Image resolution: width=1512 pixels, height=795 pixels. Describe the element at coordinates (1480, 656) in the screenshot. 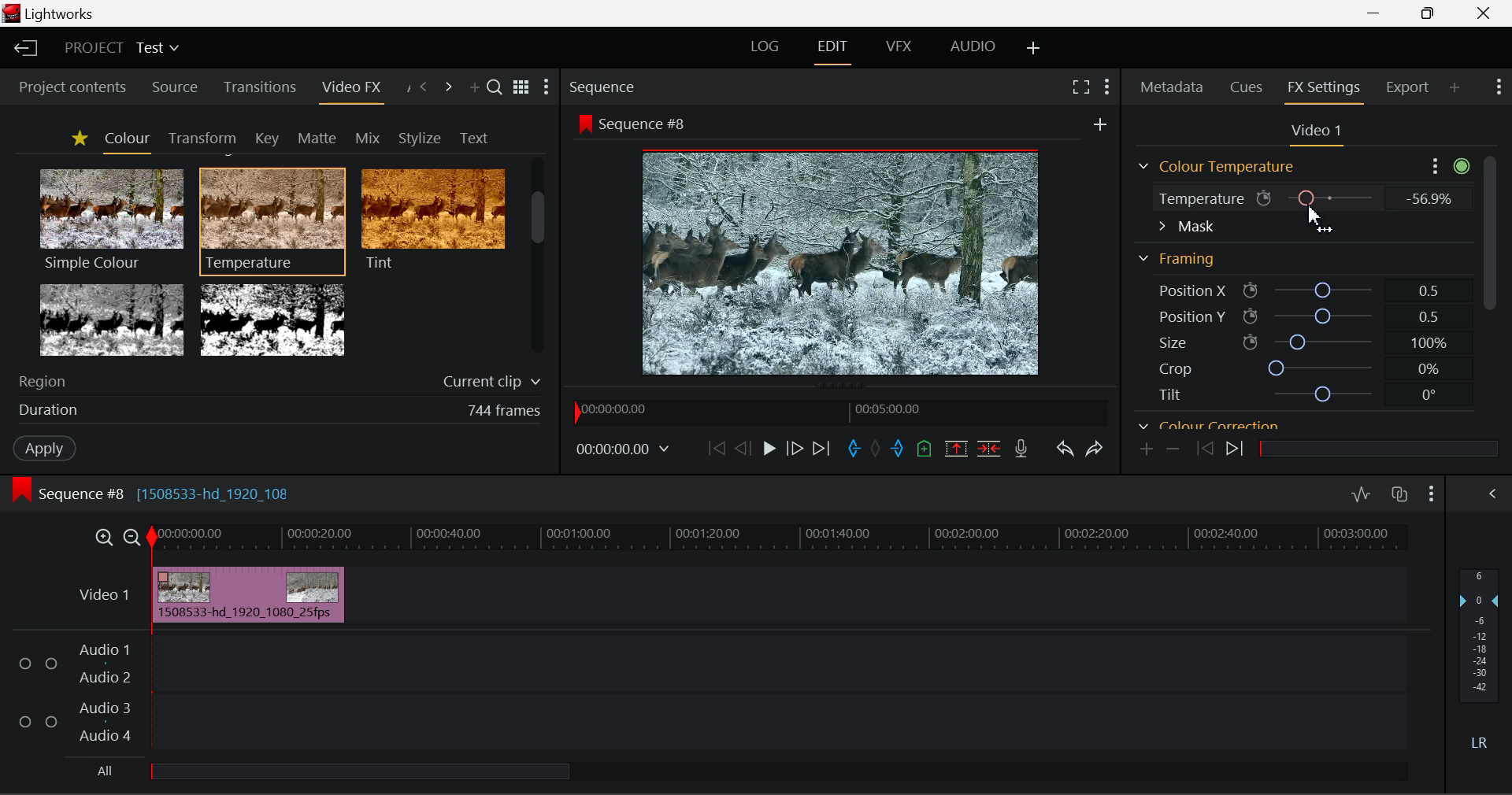

I see `Decibel Level` at that location.